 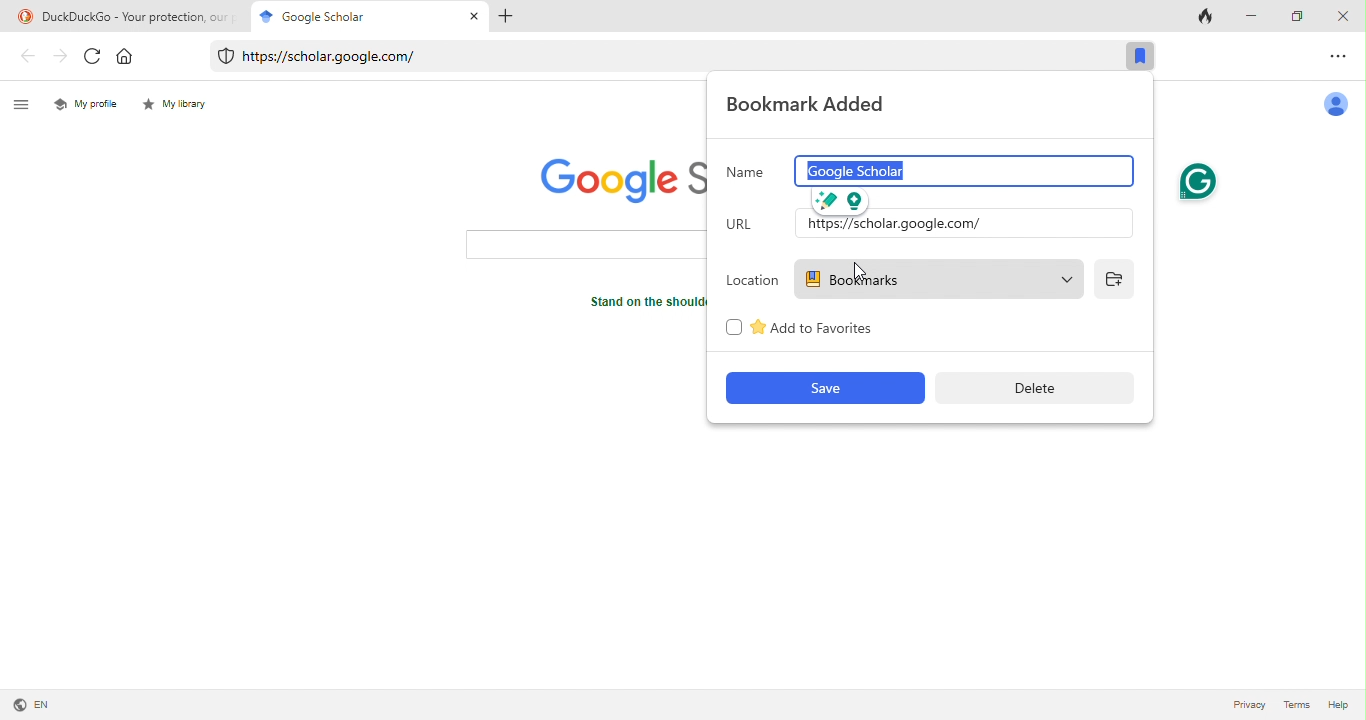 What do you see at coordinates (181, 108) in the screenshot?
I see `my library` at bounding box center [181, 108].